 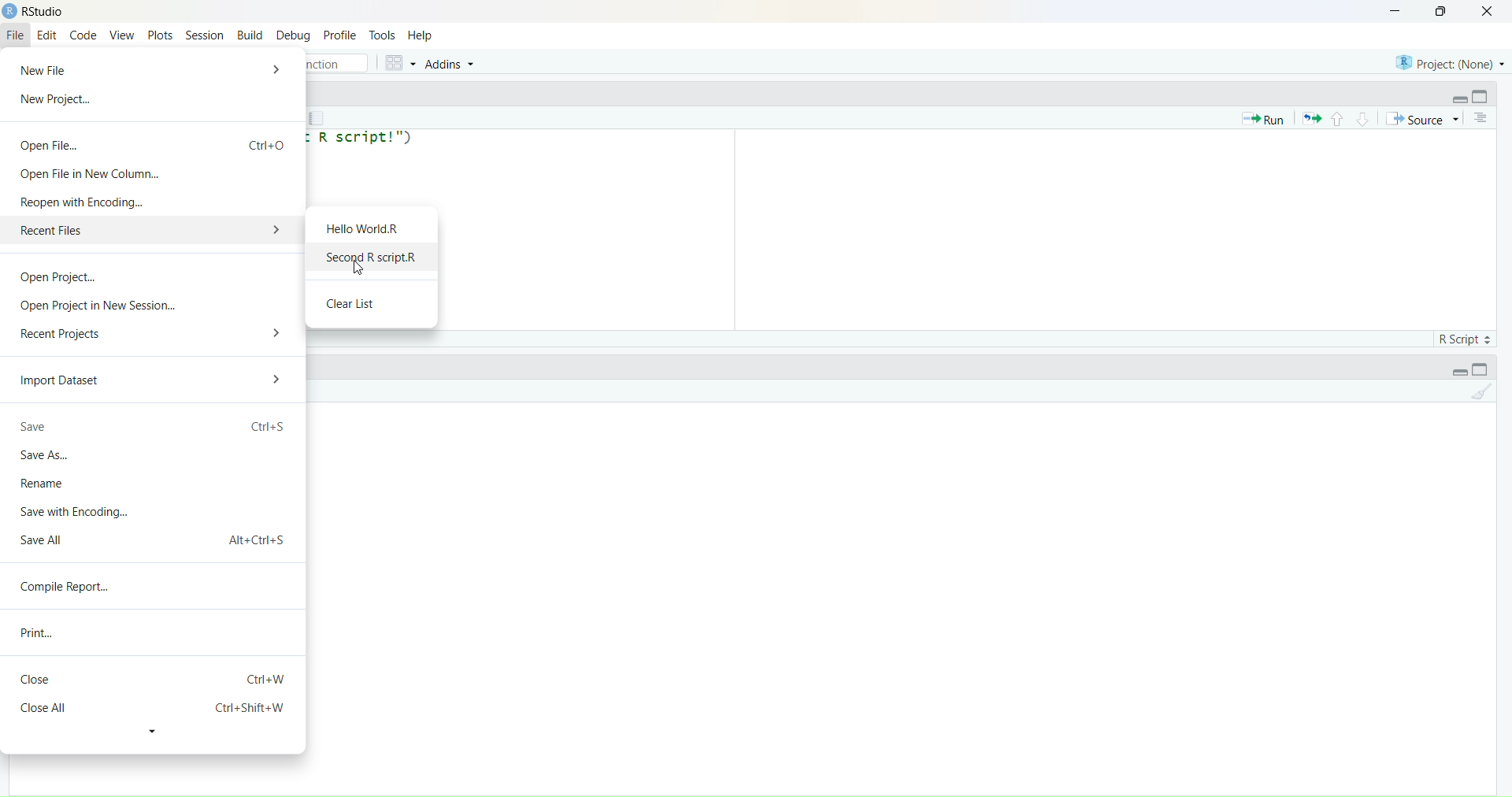 What do you see at coordinates (204, 34) in the screenshot?
I see `Session` at bounding box center [204, 34].